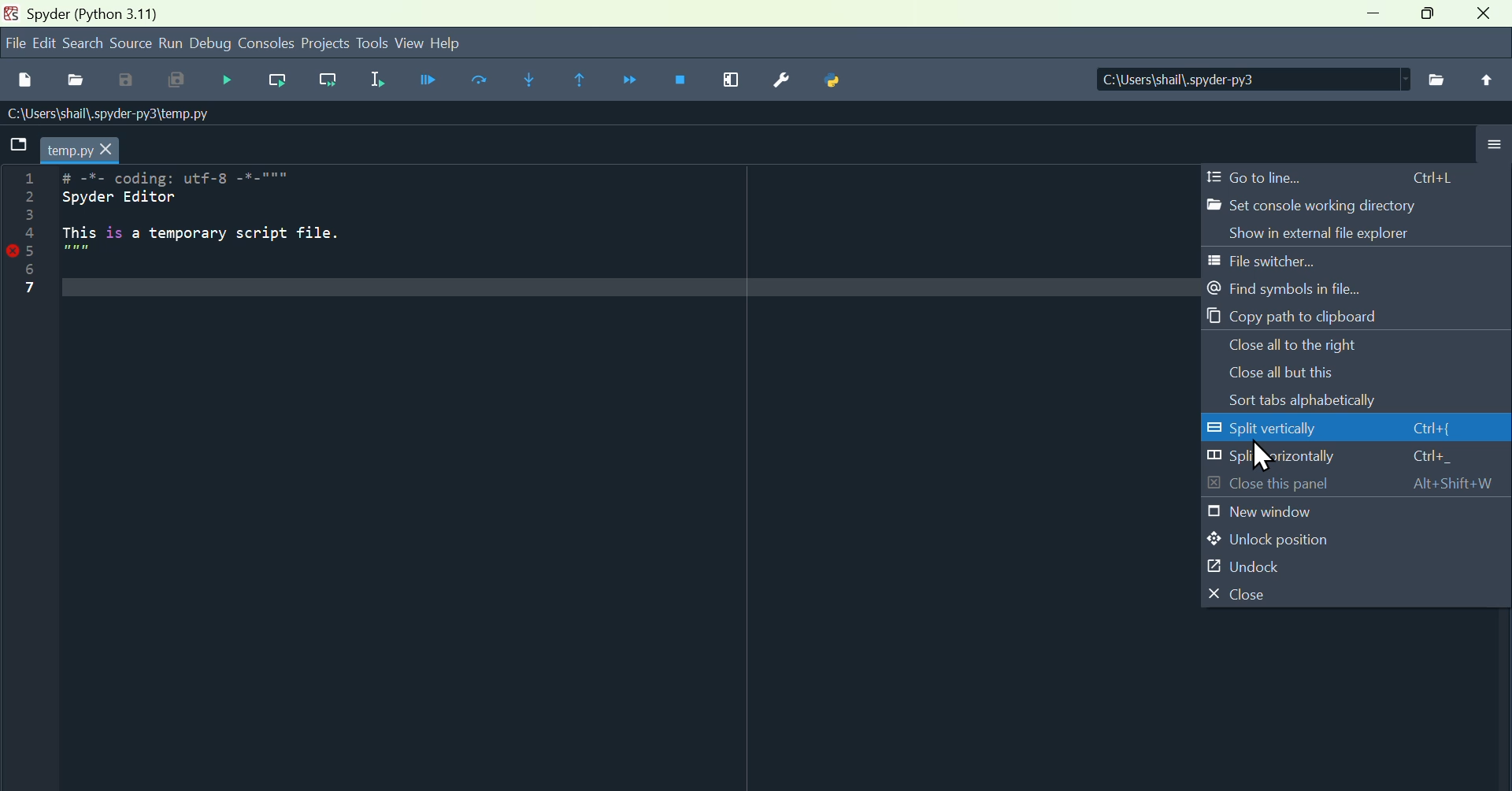  What do you see at coordinates (530, 81) in the screenshot?
I see `Step into function` at bounding box center [530, 81].